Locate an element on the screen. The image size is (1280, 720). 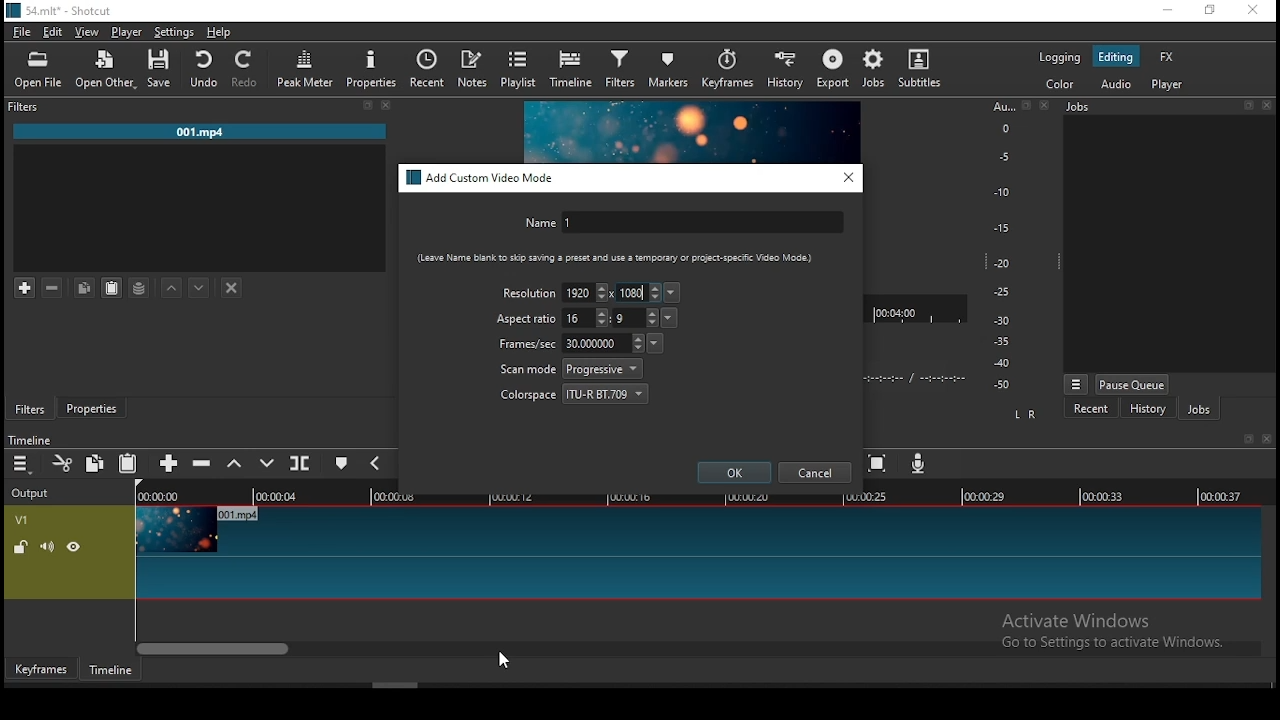
-40 is located at coordinates (1002, 363).